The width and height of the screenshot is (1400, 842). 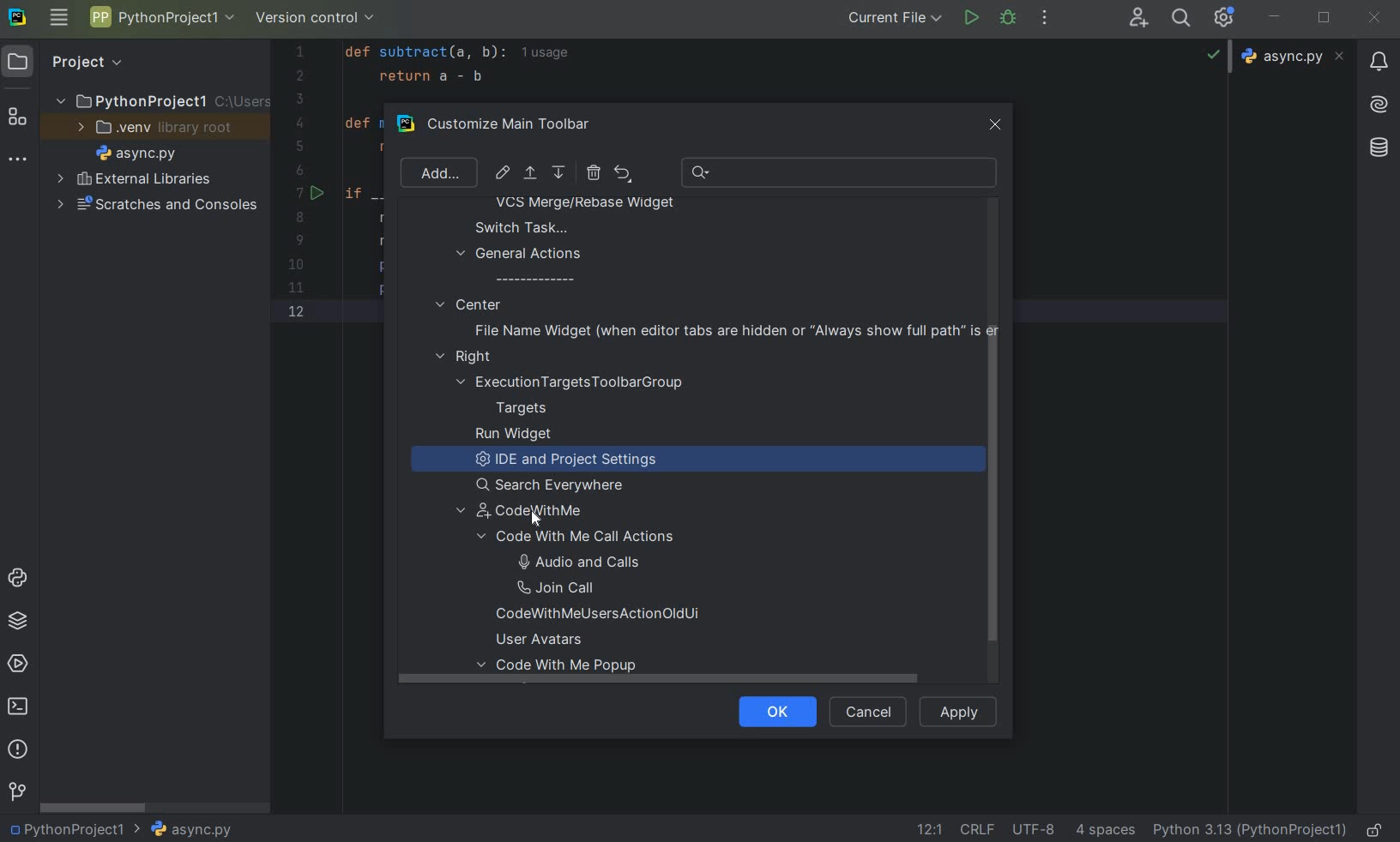 I want to click on MAKE FILE READY ONLY, so click(x=1378, y=828).